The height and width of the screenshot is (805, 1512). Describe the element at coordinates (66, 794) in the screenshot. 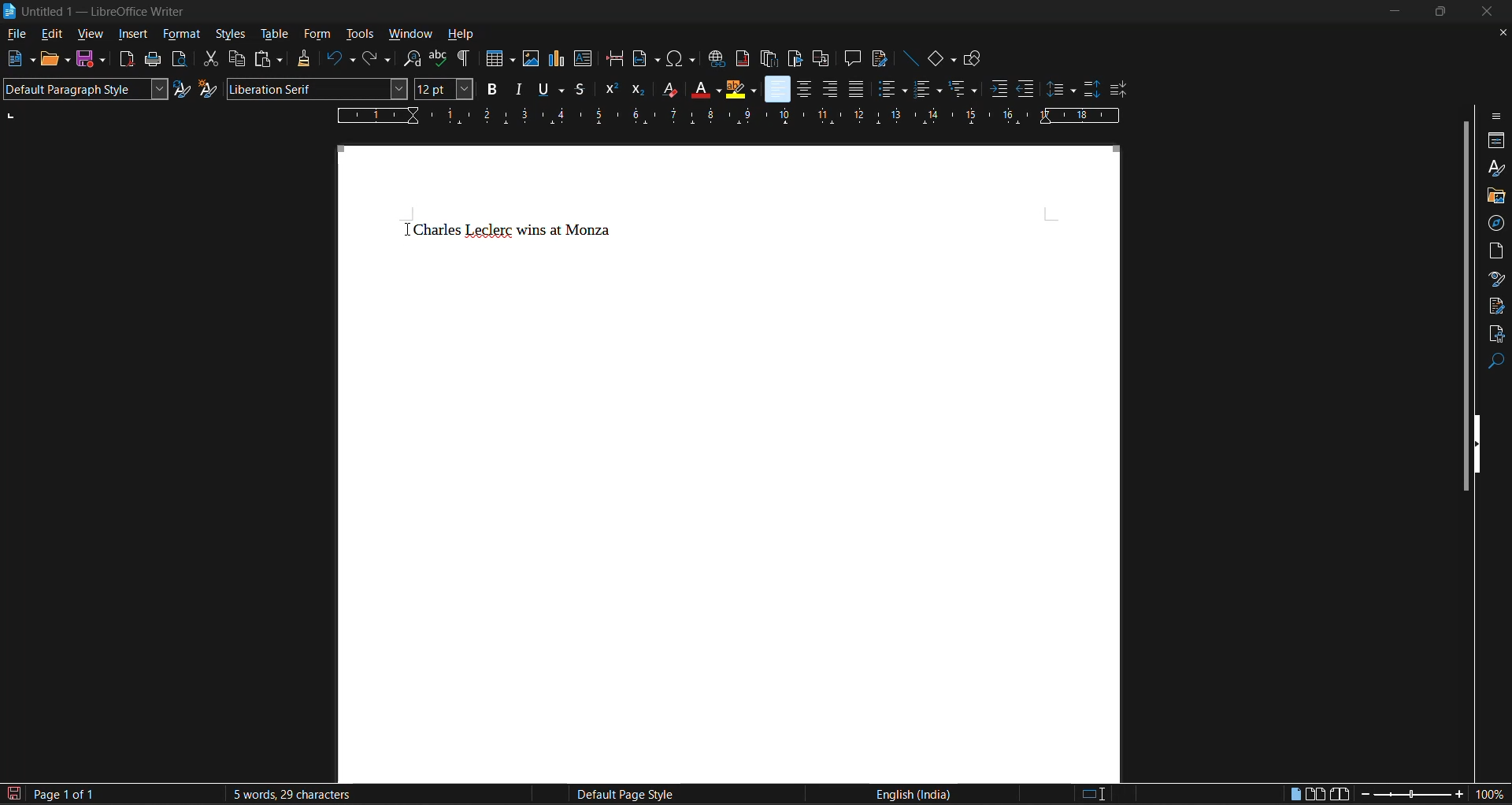

I see `page number in document` at that location.